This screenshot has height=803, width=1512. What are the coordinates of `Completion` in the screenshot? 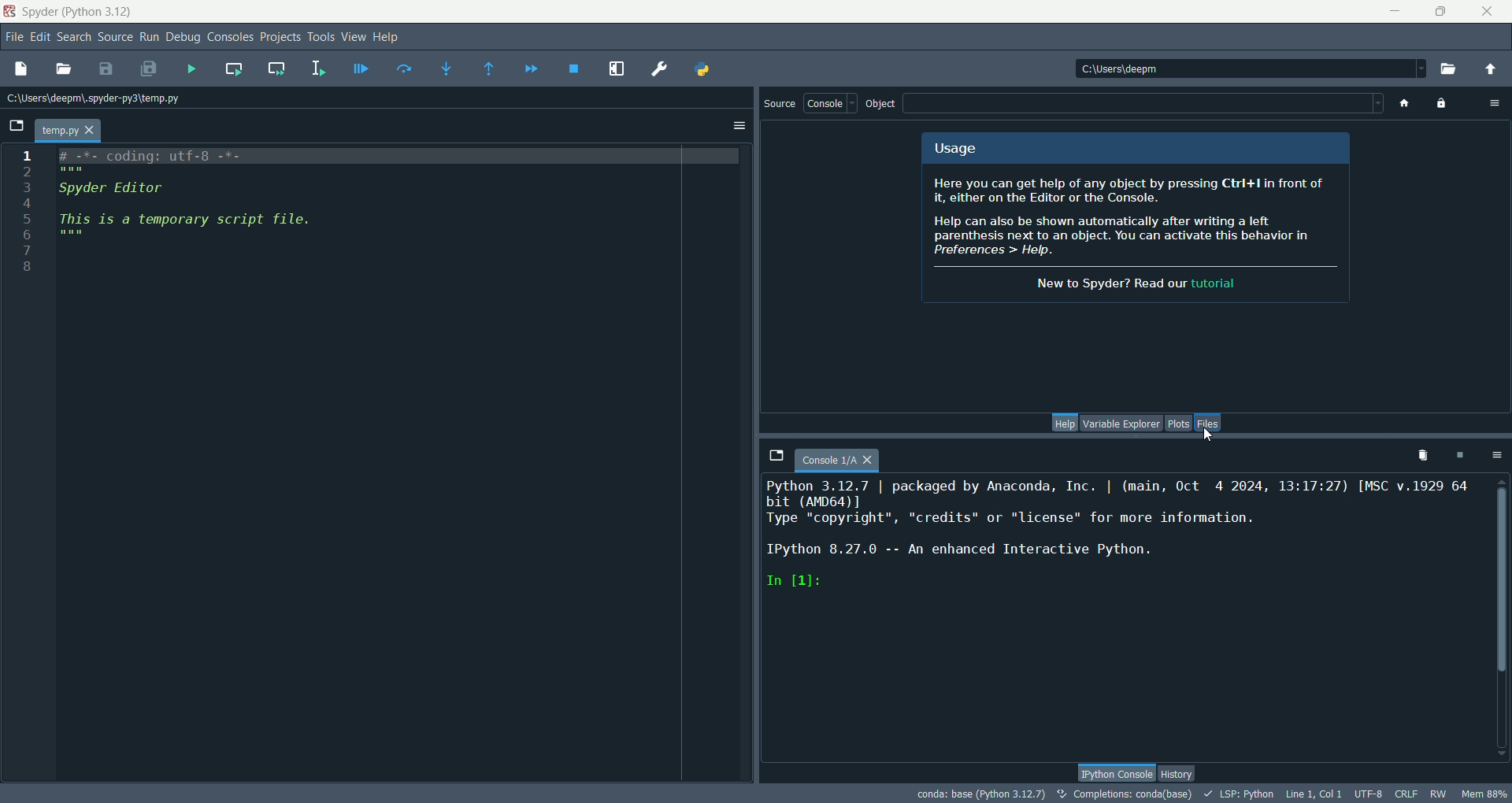 It's located at (1124, 794).